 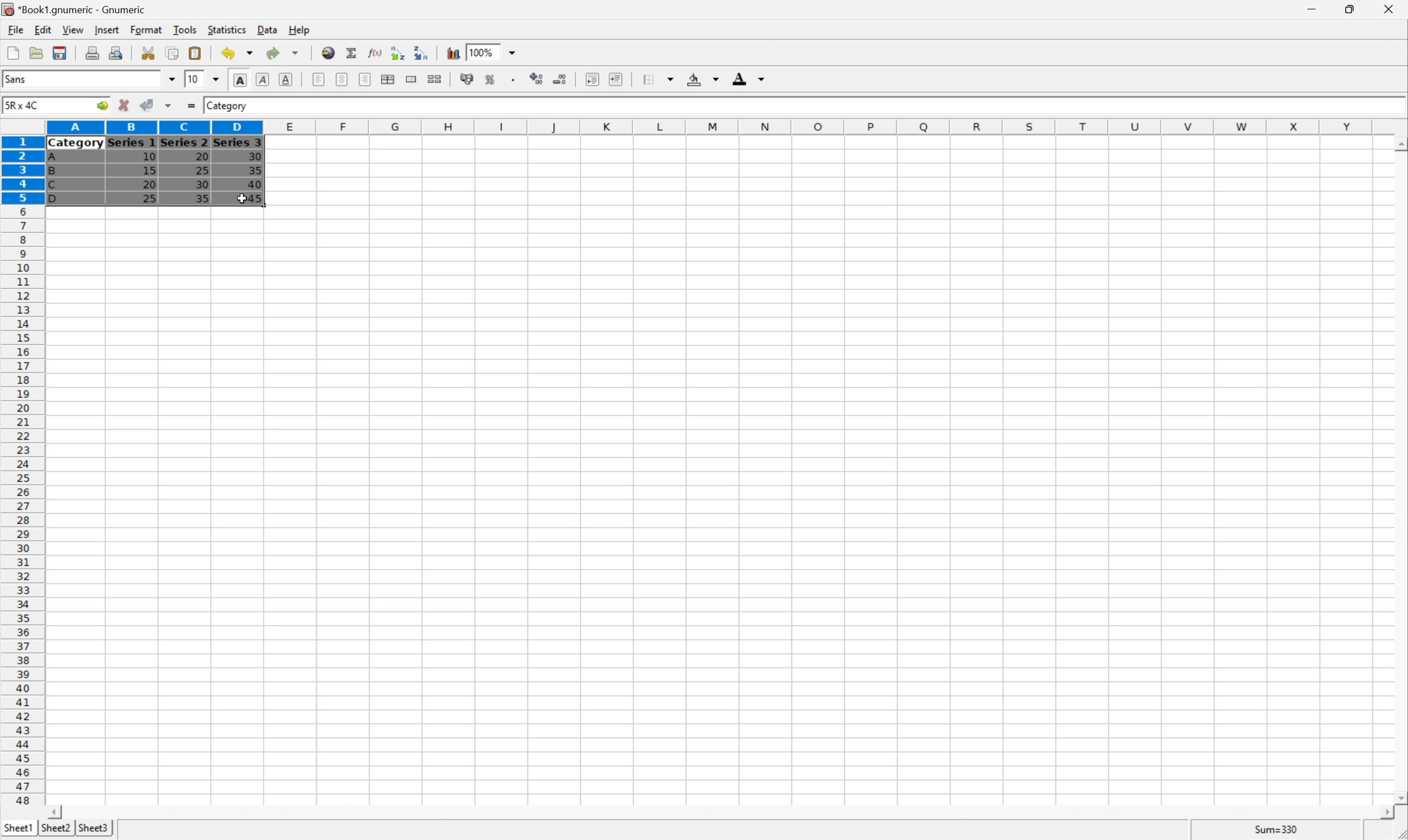 I want to click on Set the format of the selected cells to include a thousands separator, so click(x=515, y=81).